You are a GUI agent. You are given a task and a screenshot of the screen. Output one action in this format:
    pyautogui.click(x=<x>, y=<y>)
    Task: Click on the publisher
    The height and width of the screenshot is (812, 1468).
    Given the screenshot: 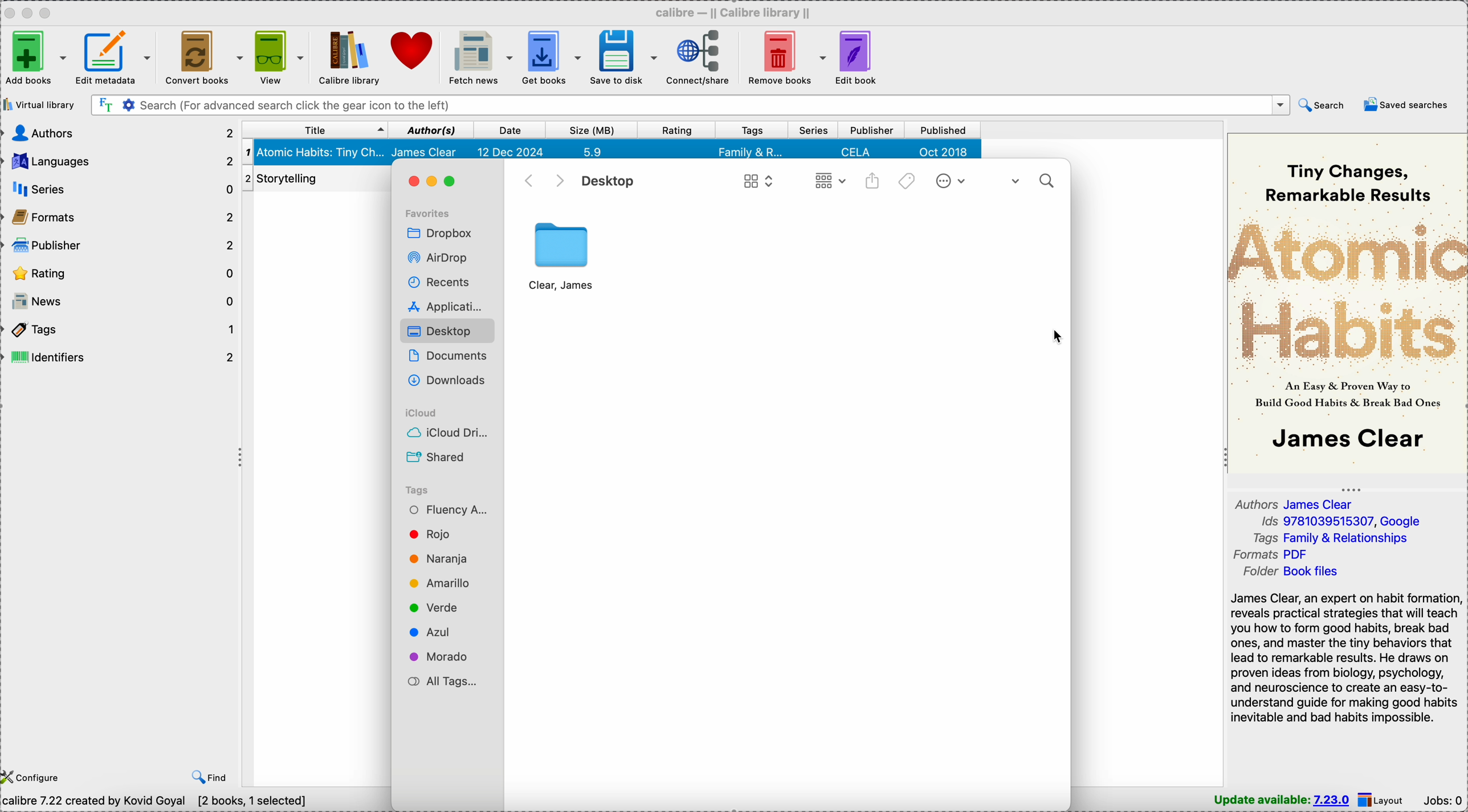 What is the action you would take?
    pyautogui.click(x=871, y=130)
    